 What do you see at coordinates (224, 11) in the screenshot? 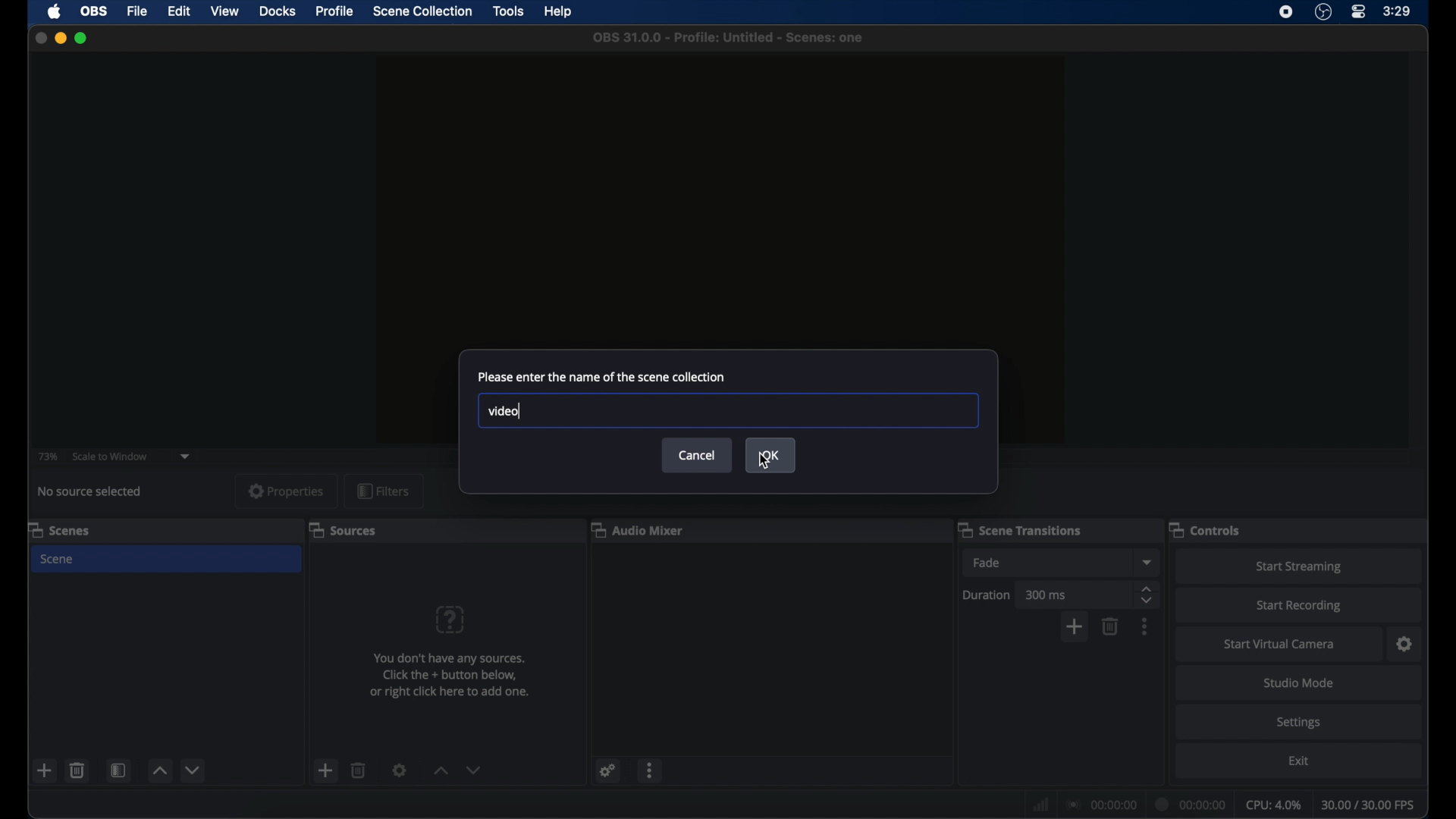
I see `view` at bounding box center [224, 11].